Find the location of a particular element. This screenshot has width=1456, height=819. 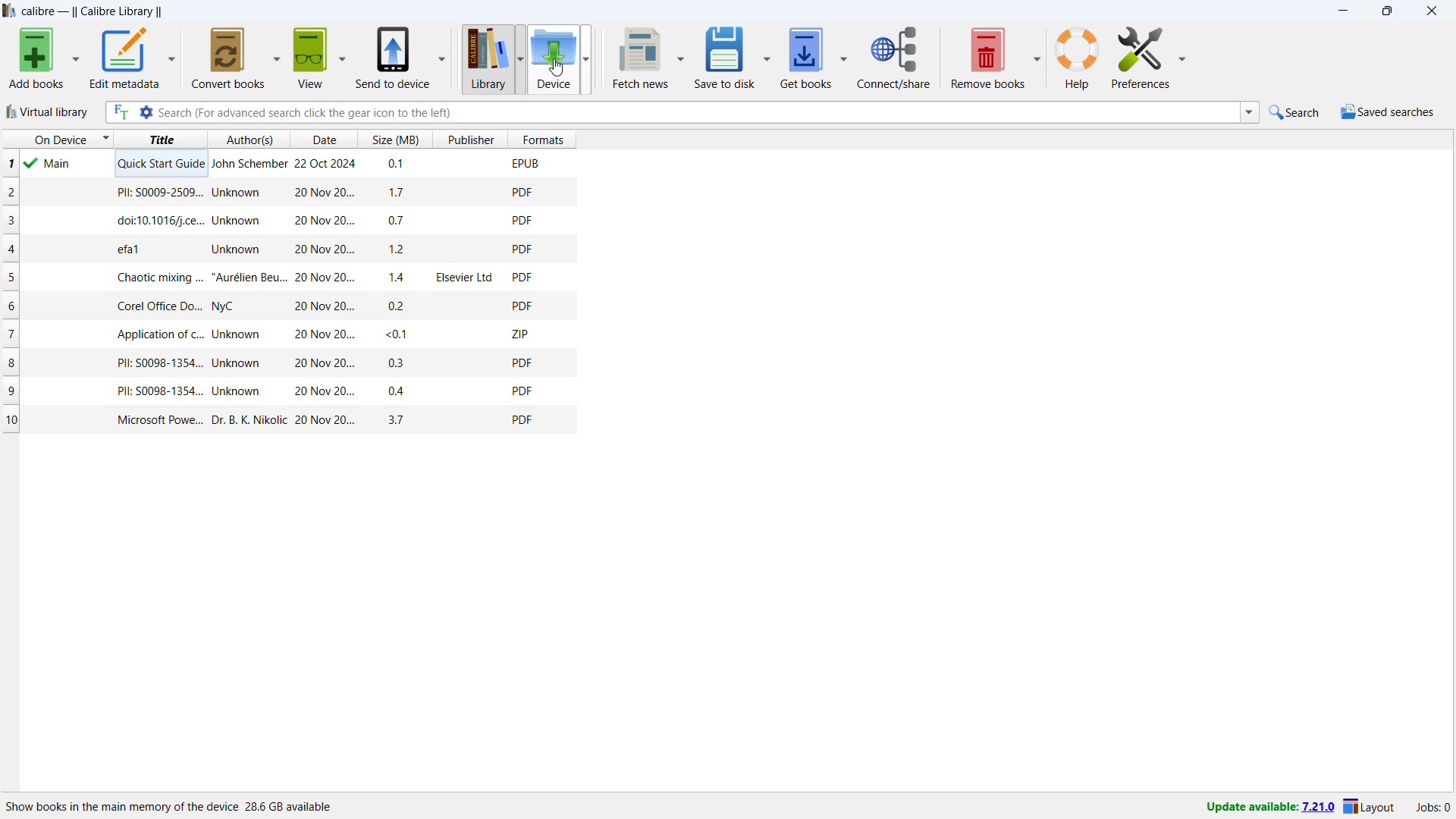

Add books options is located at coordinates (76, 58).